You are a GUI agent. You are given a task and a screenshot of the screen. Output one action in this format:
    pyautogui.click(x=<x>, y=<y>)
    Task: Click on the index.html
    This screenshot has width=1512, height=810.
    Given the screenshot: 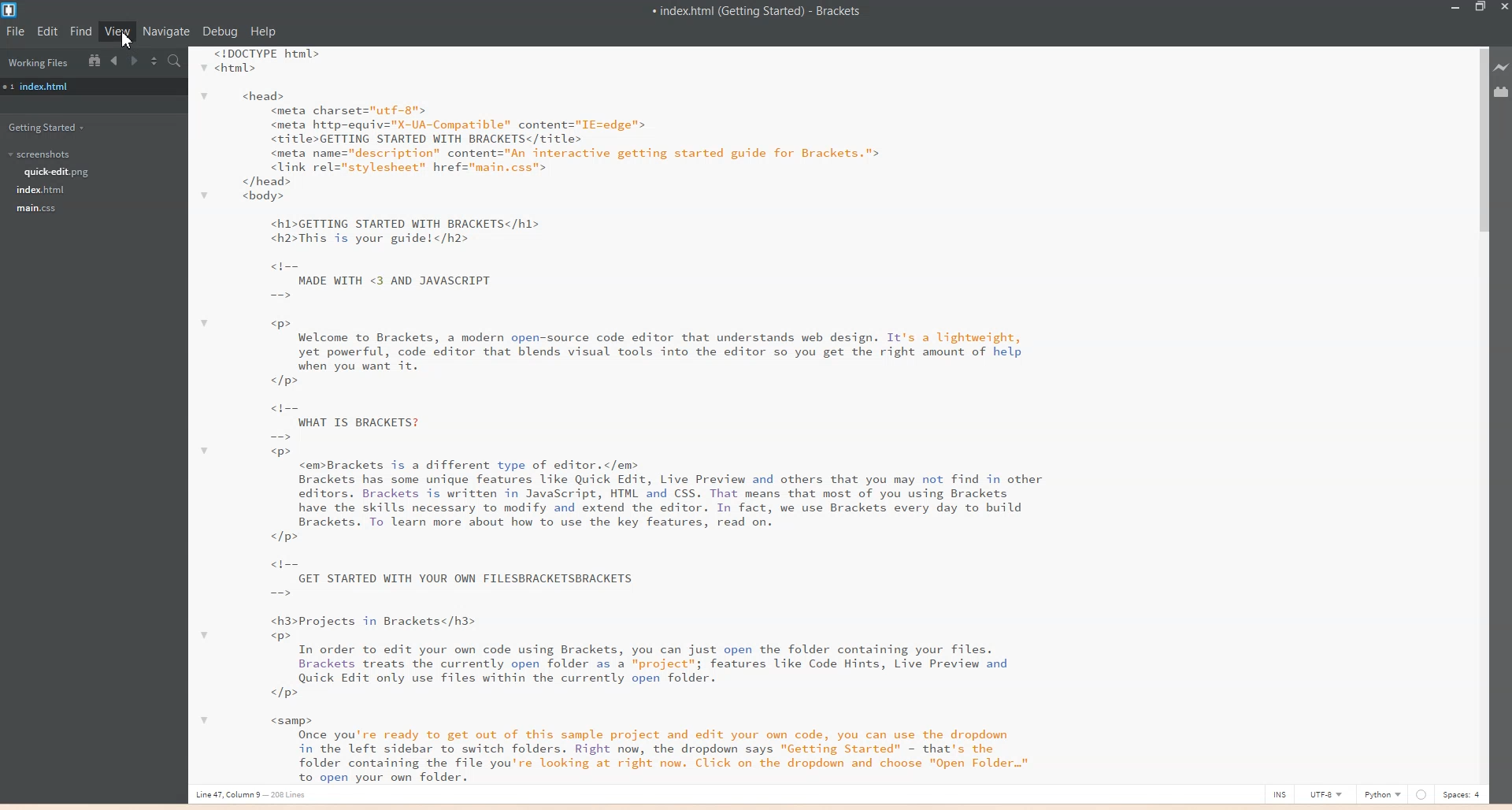 What is the action you would take?
    pyautogui.click(x=47, y=86)
    